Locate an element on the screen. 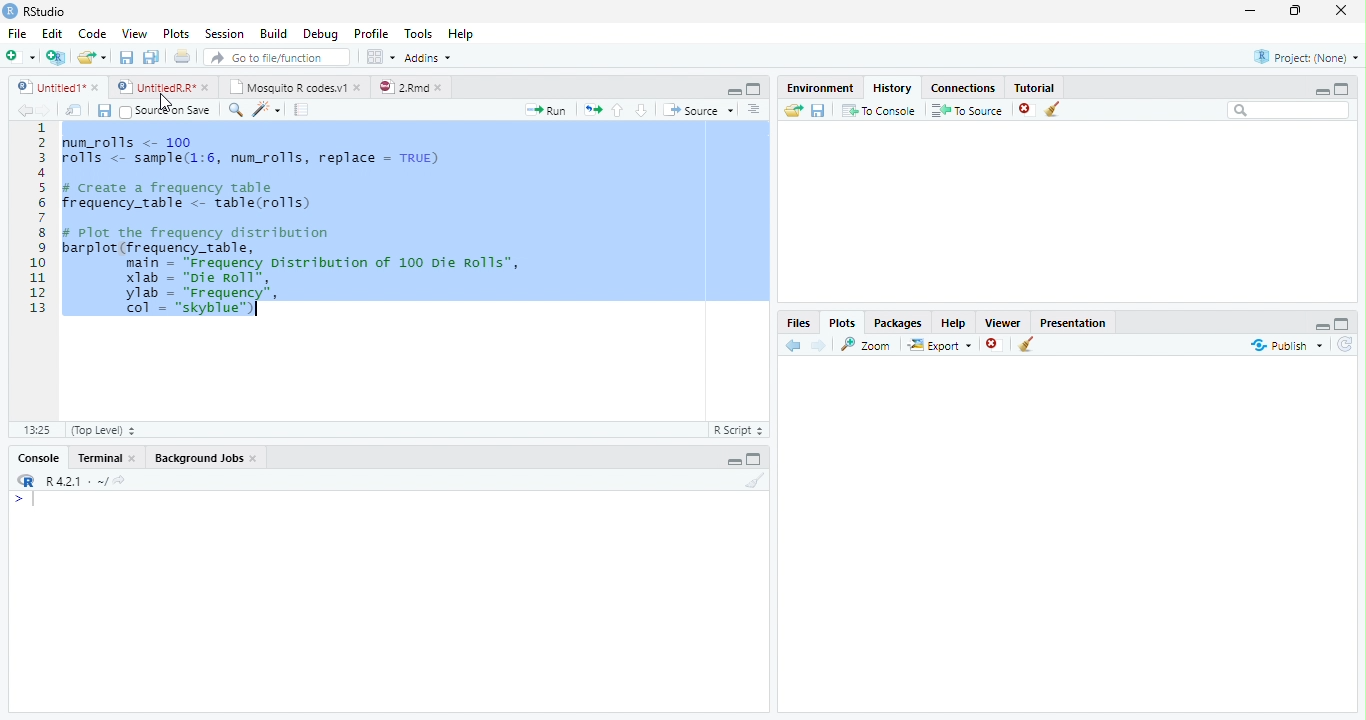 The image size is (1366, 720). Hide is located at coordinates (732, 91).